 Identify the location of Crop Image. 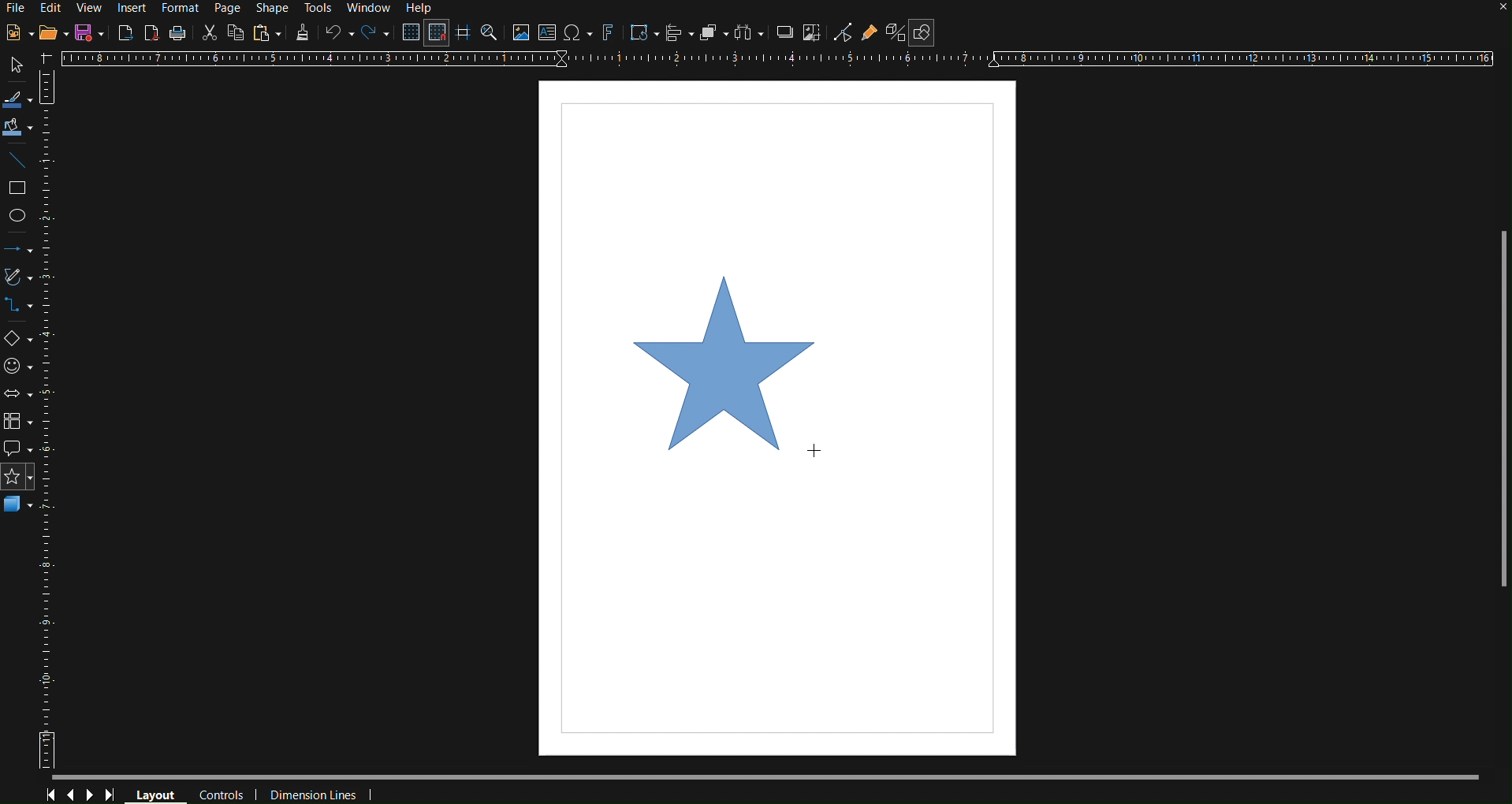
(813, 35).